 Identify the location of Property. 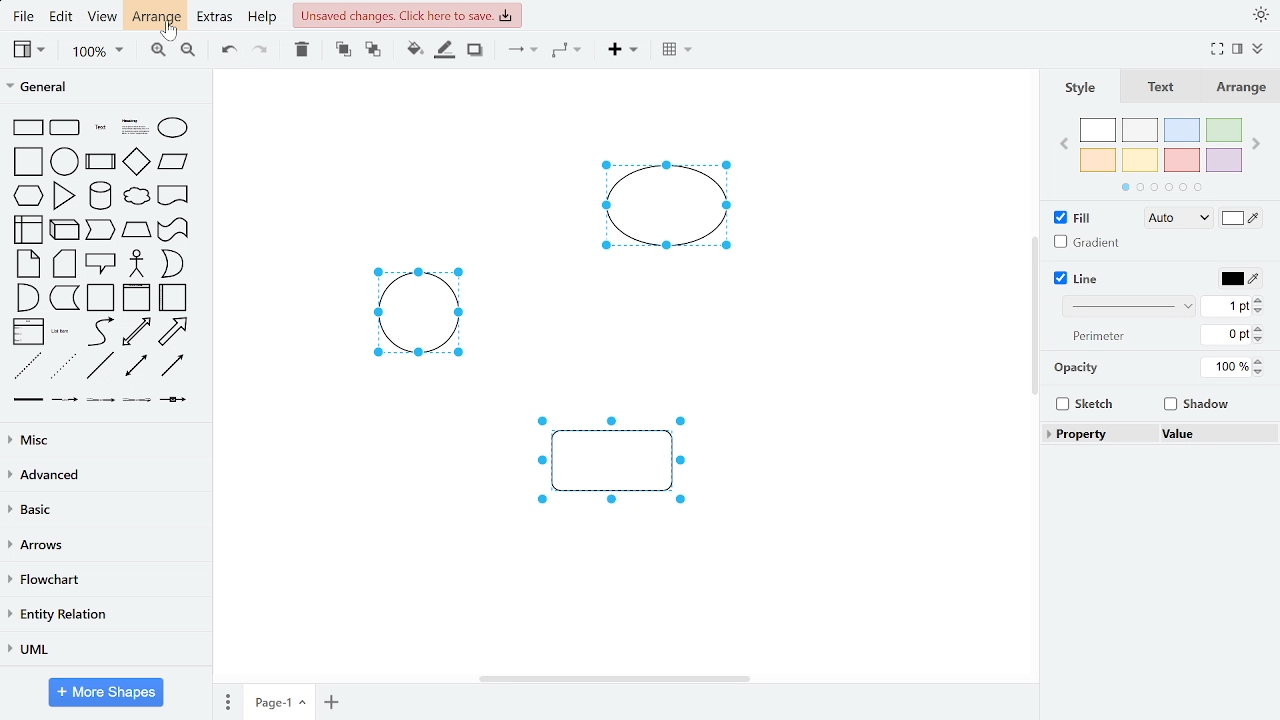
(1097, 433).